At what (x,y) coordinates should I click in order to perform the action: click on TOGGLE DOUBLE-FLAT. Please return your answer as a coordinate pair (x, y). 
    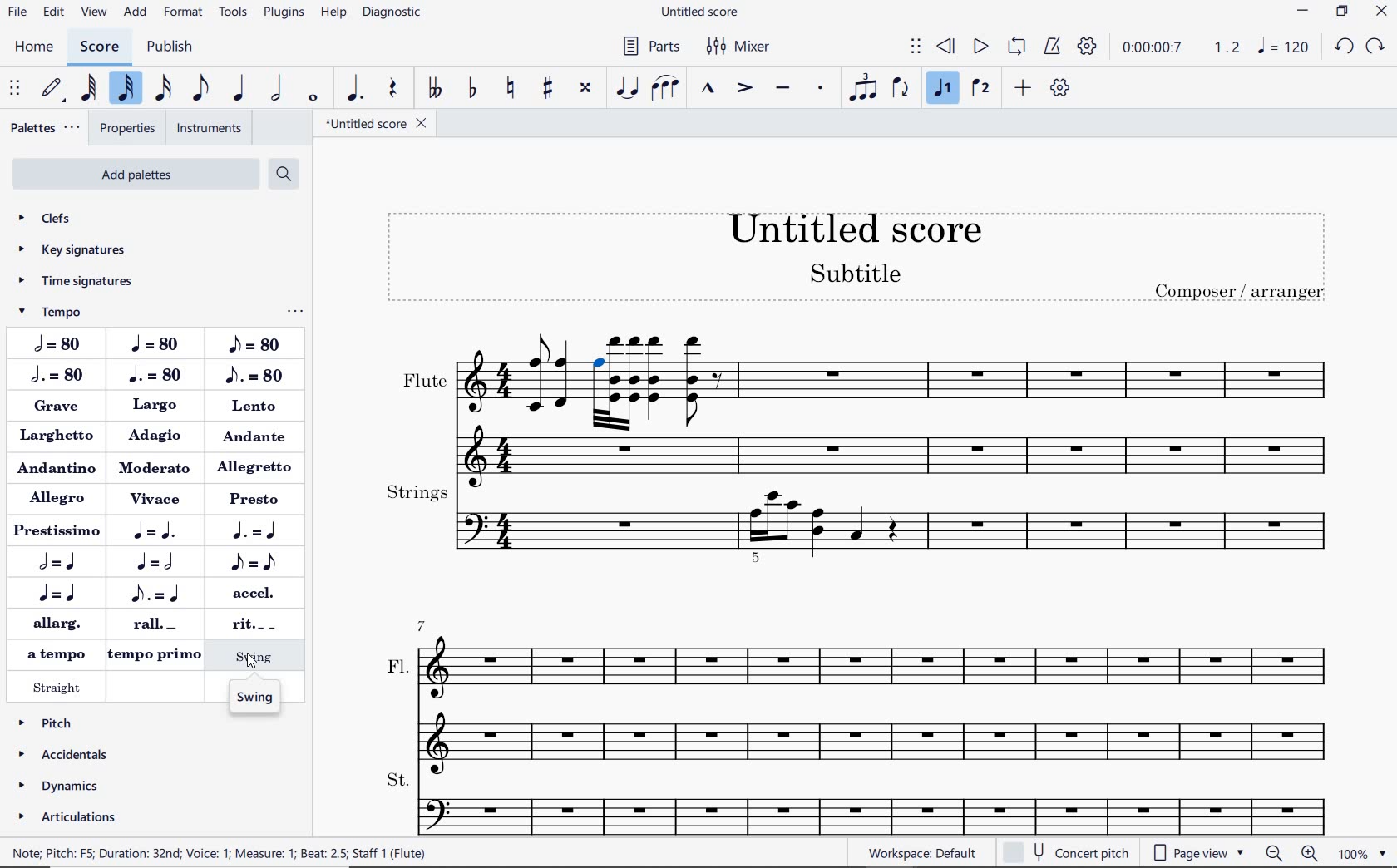
    Looking at the image, I should click on (434, 89).